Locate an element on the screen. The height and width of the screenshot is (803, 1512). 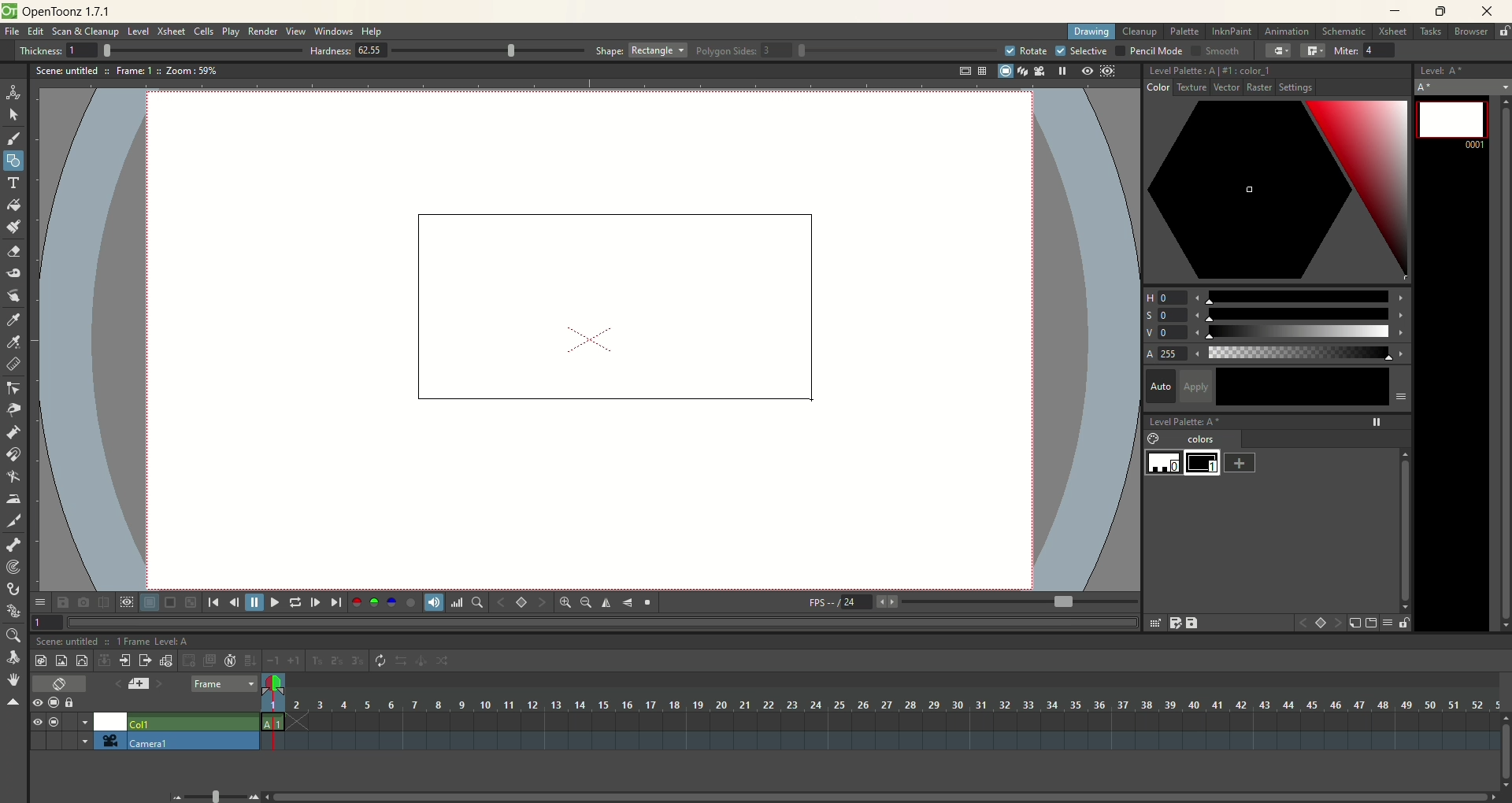
compare to snapchat is located at coordinates (102, 603).